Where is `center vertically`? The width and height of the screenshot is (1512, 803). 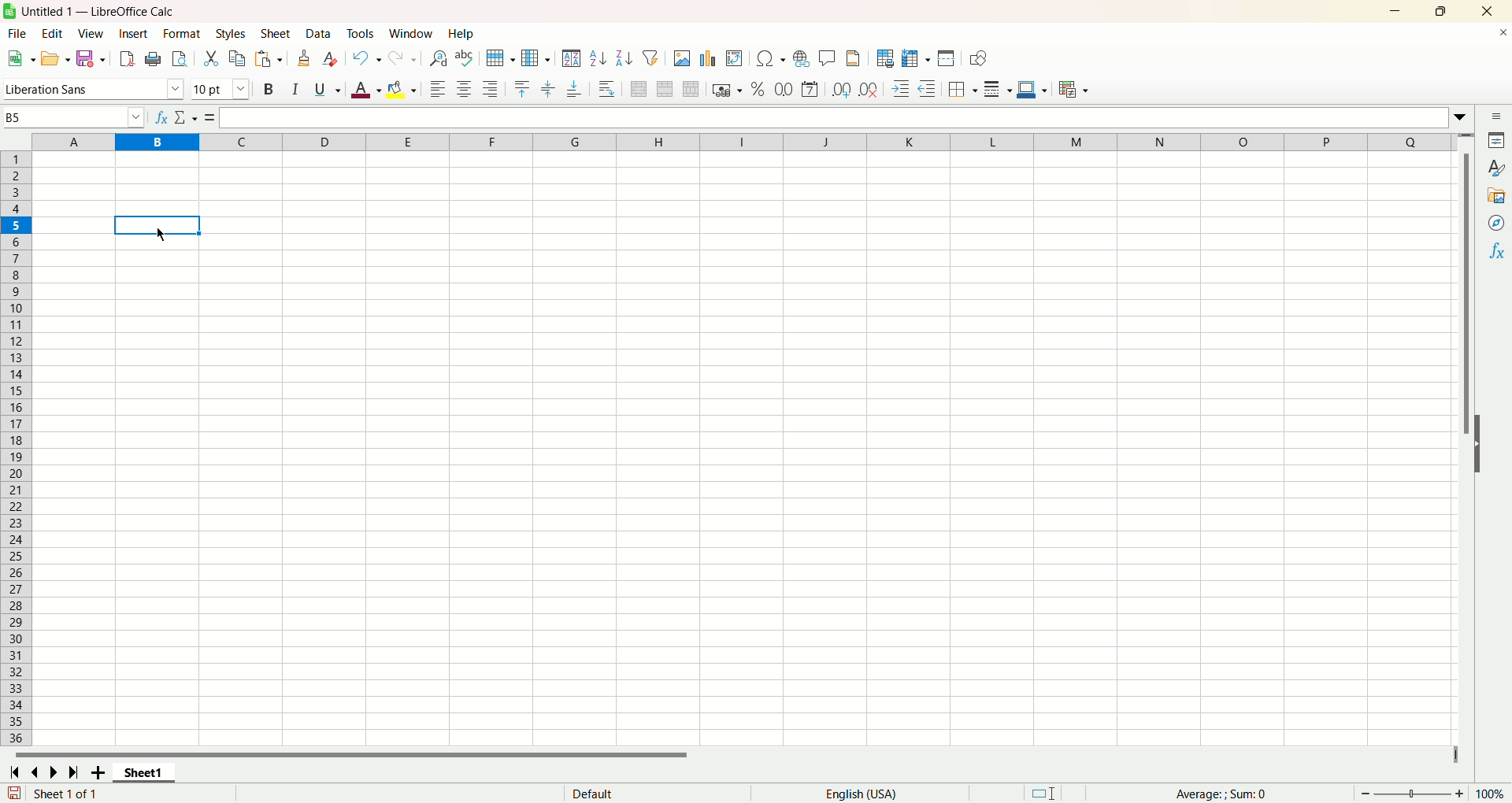
center vertically is located at coordinates (550, 87).